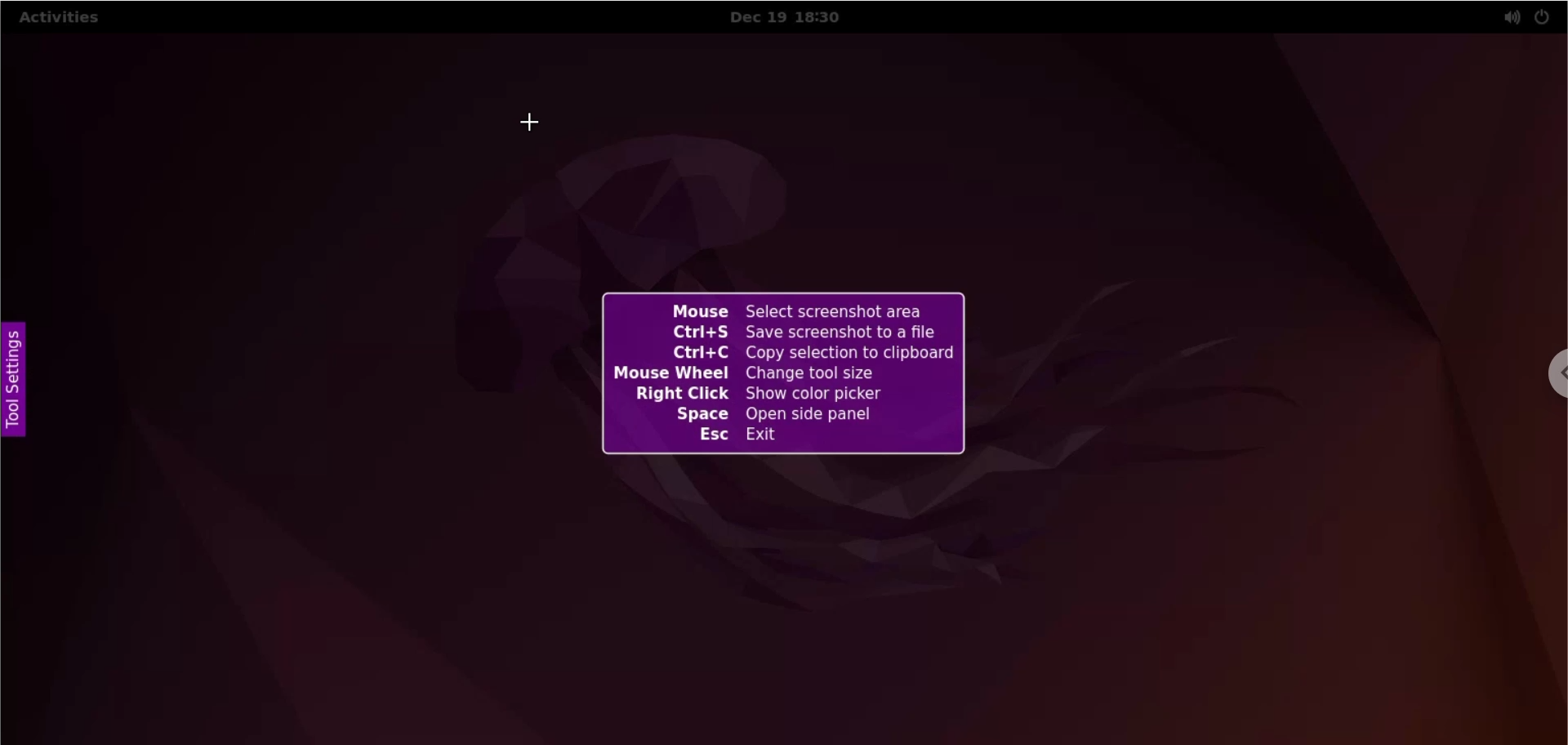 The image size is (1568, 745). What do you see at coordinates (800, 381) in the screenshot?
I see `Mouse Select screenshot area
Ctrl+S Save screenshot to a file
Ctrl+C Copy selection to clipboard
Mouse Wheel Change tool size
Right Click Show color picker
Space Open side panel
Esc Exit` at bounding box center [800, 381].